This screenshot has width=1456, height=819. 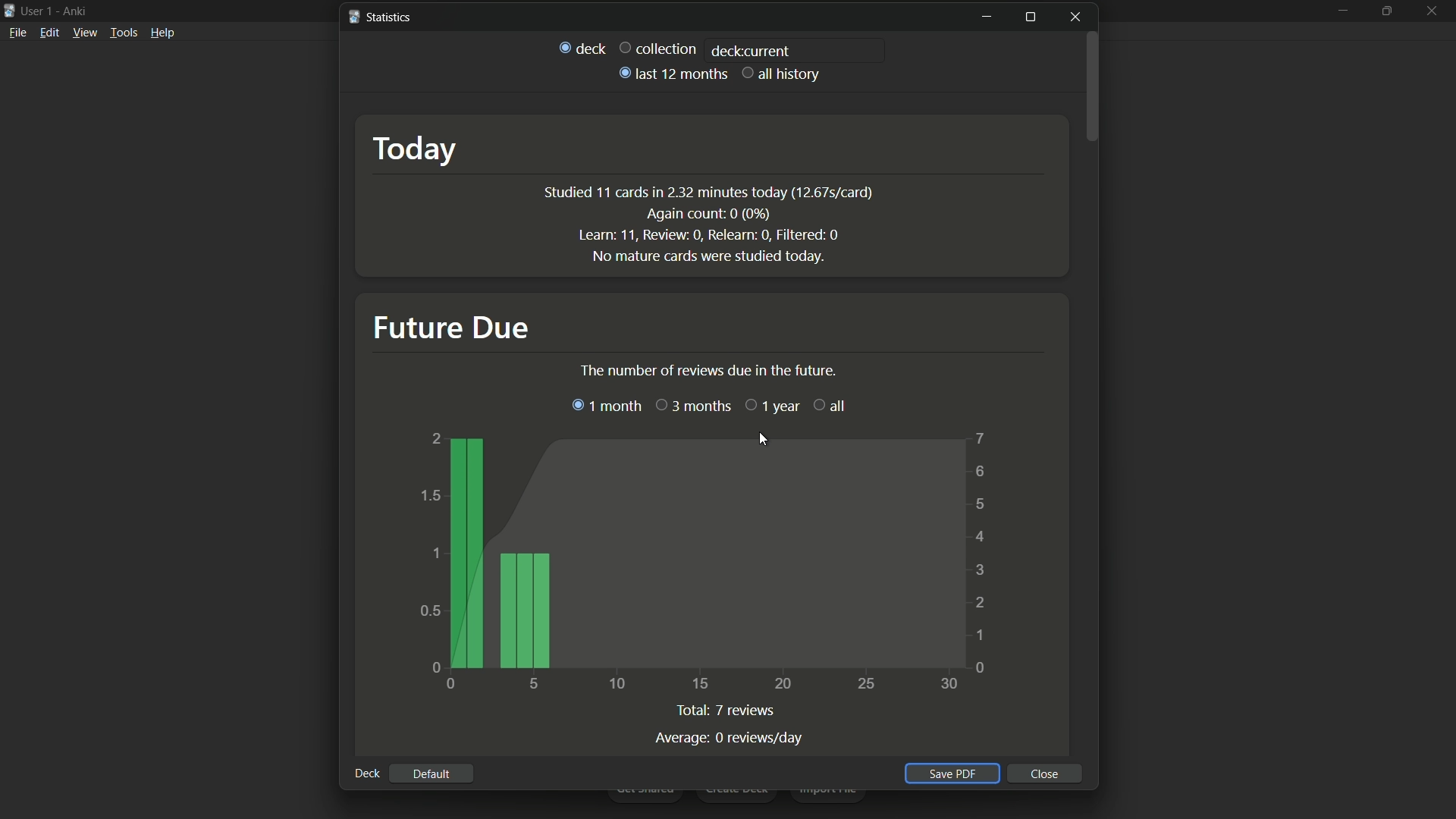 What do you see at coordinates (692, 405) in the screenshot?
I see `3 months` at bounding box center [692, 405].